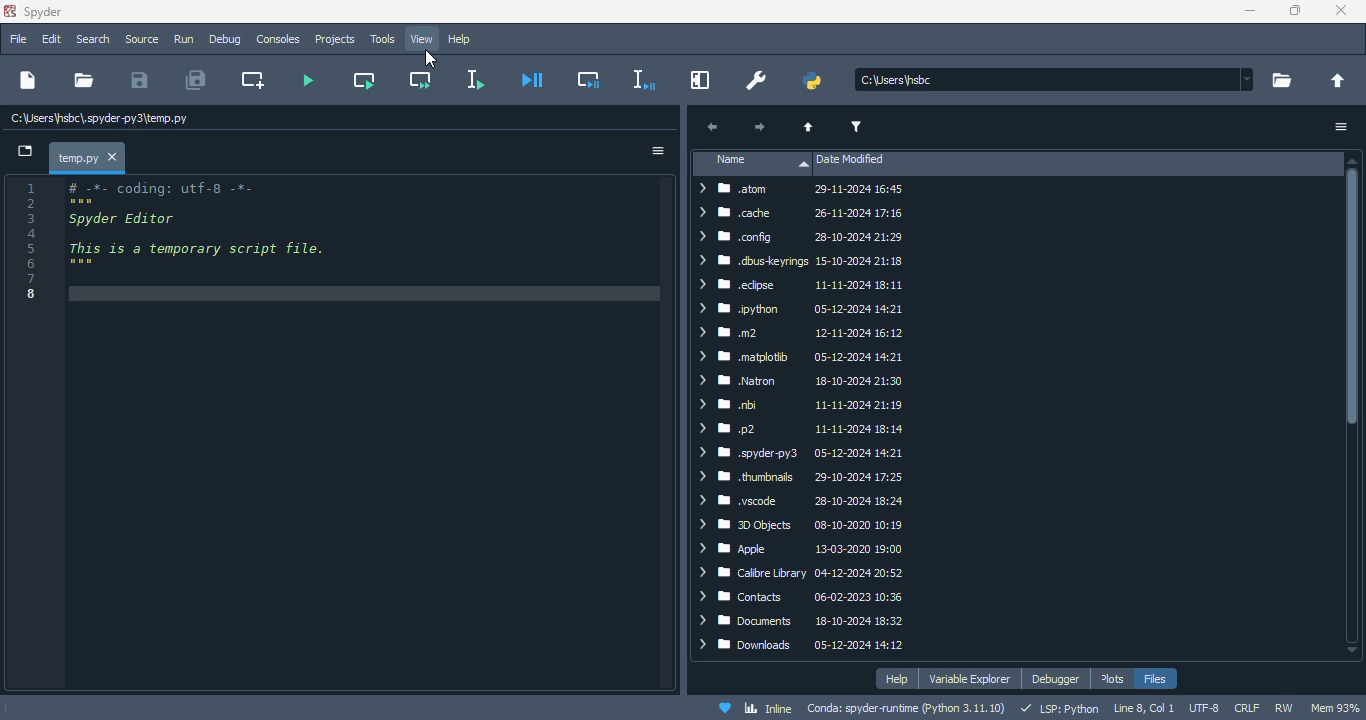 This screenshot has width=1366, height=720. Describe the element at coordinates (1340, 10) in the screenshot. I see `close` at that location.